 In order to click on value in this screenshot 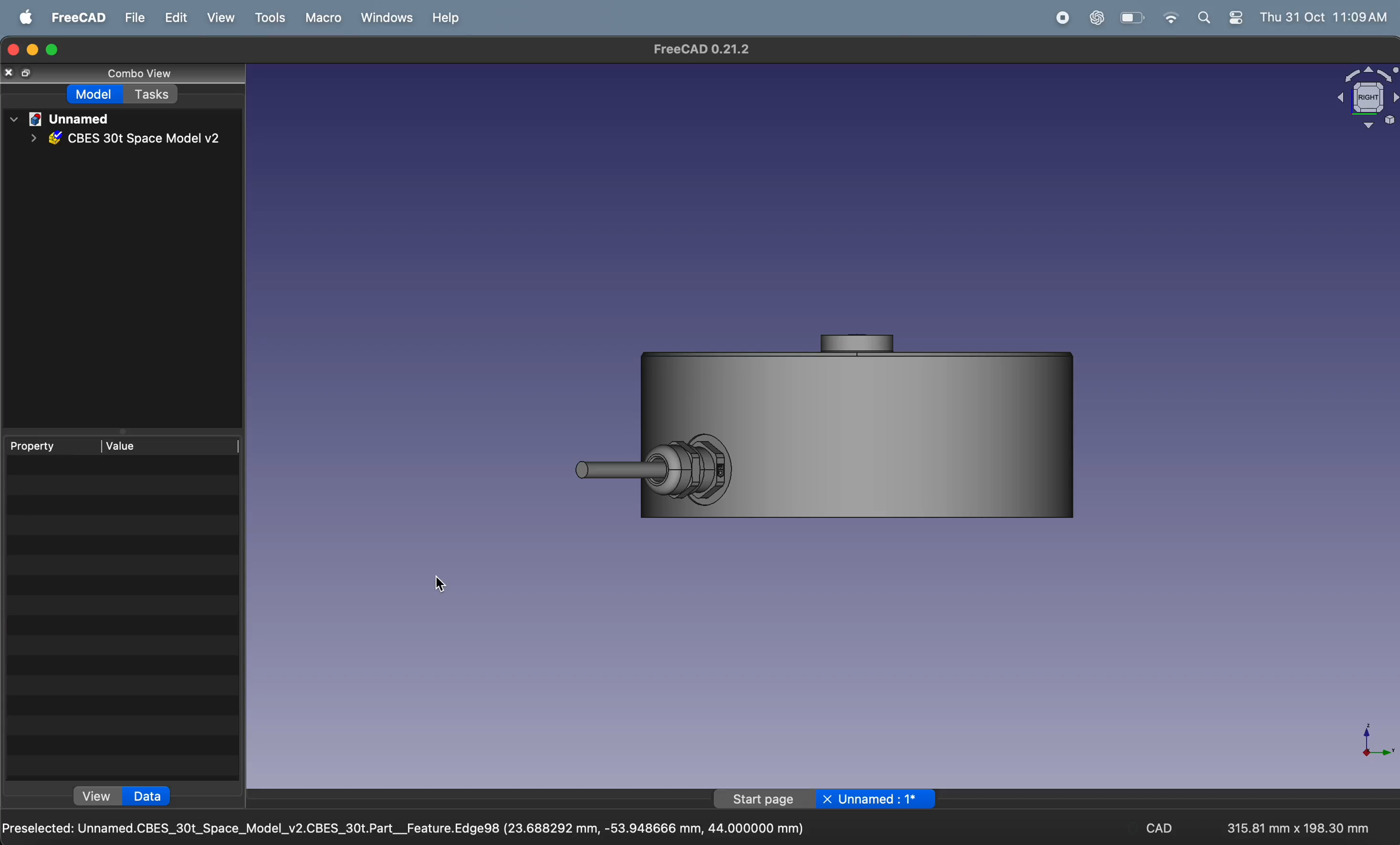, I will do `click(135, 446)`.